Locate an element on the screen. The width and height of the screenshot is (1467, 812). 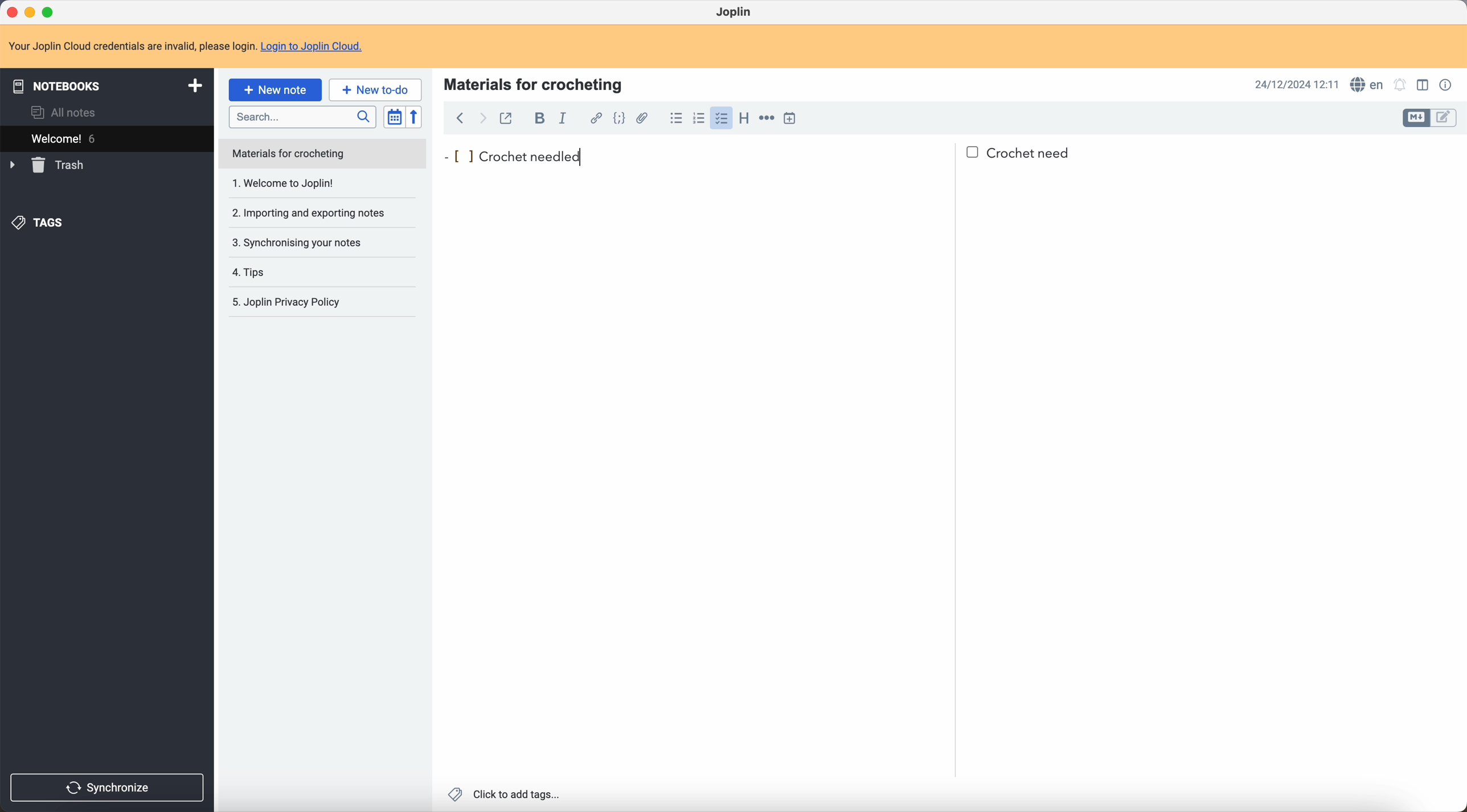
synchronize is located at coordinates (108, 788).